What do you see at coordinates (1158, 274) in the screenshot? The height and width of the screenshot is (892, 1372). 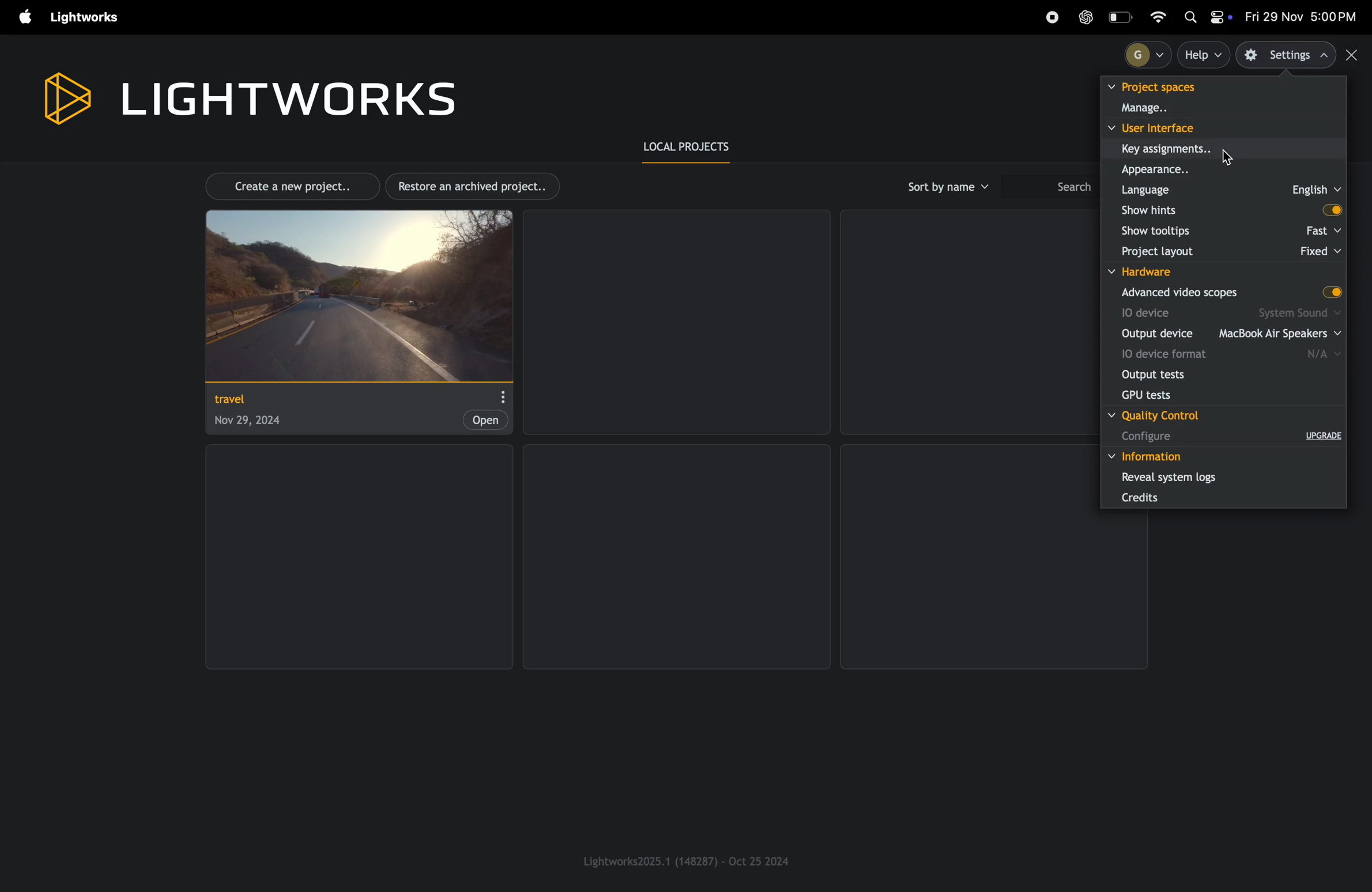 I see `hardware` at bounding box center [1158, 274].